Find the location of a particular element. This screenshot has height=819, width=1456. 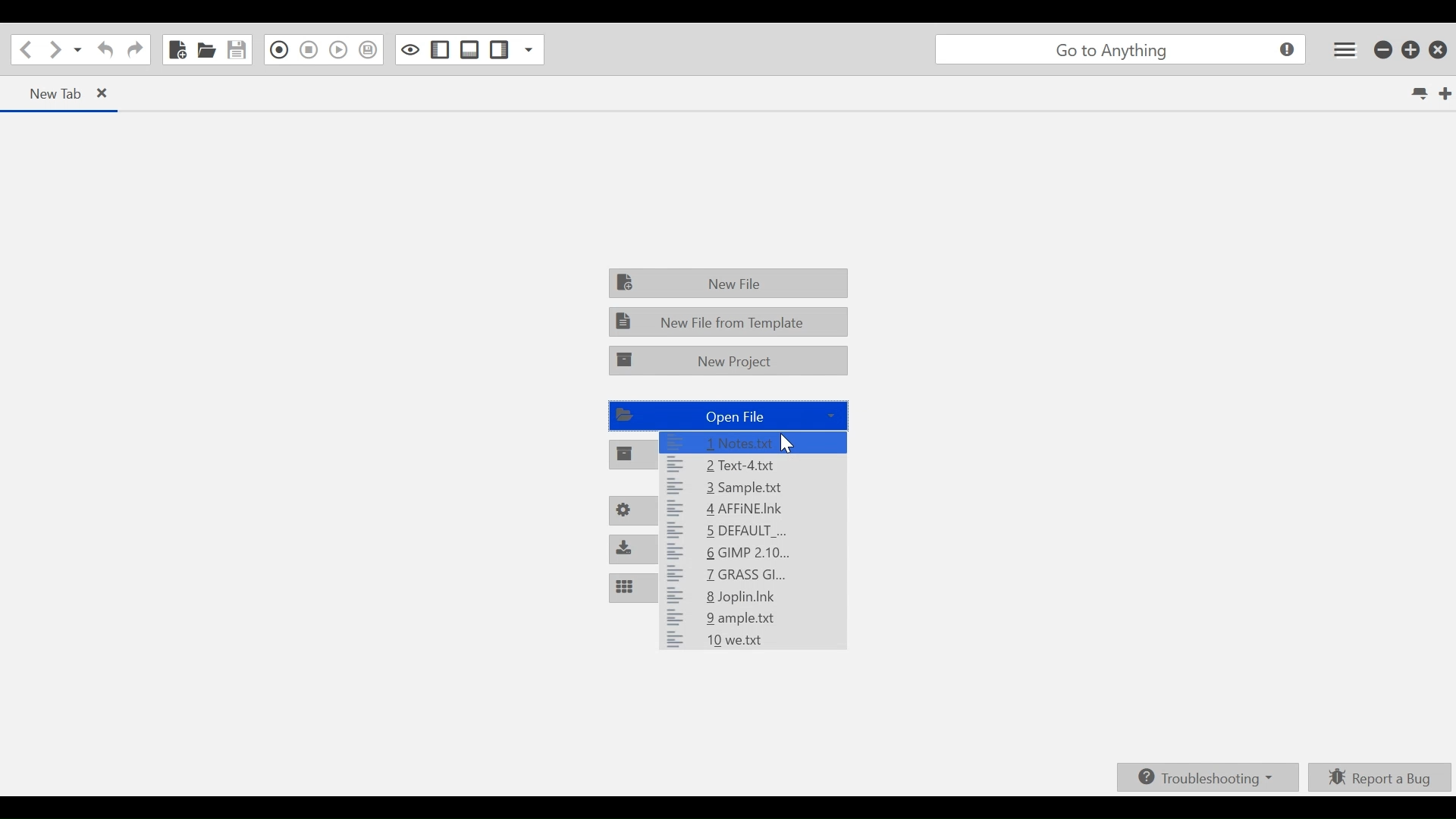

New File is located at coordinates (727, 284).